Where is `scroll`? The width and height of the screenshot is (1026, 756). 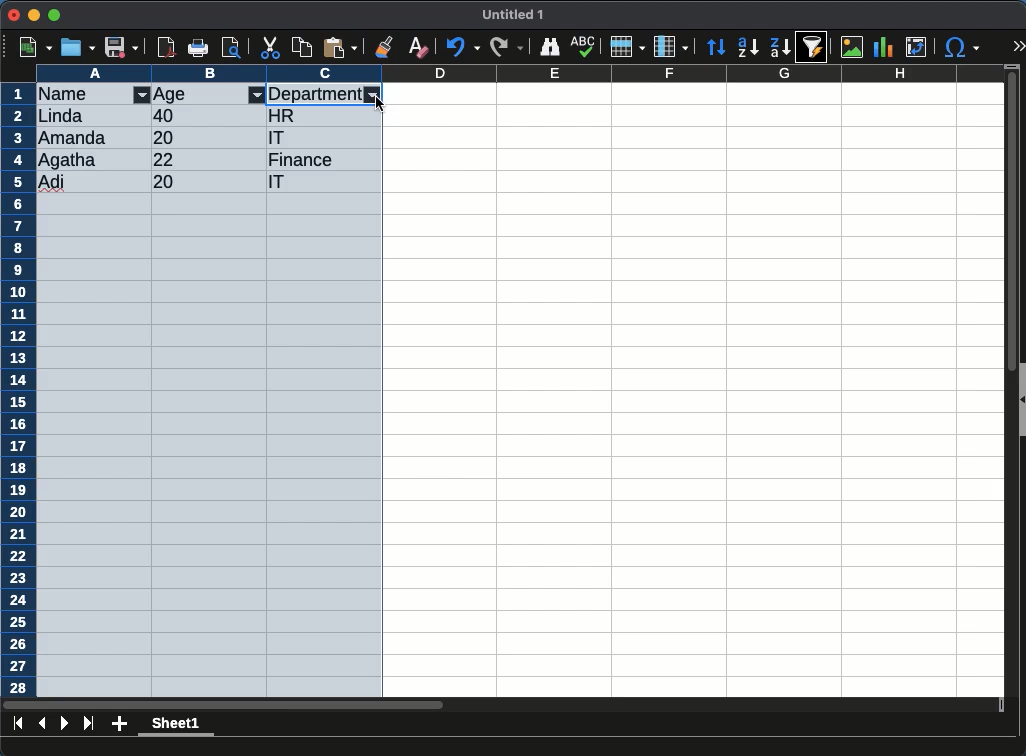 scroll is located at coordinates (1004, 386).